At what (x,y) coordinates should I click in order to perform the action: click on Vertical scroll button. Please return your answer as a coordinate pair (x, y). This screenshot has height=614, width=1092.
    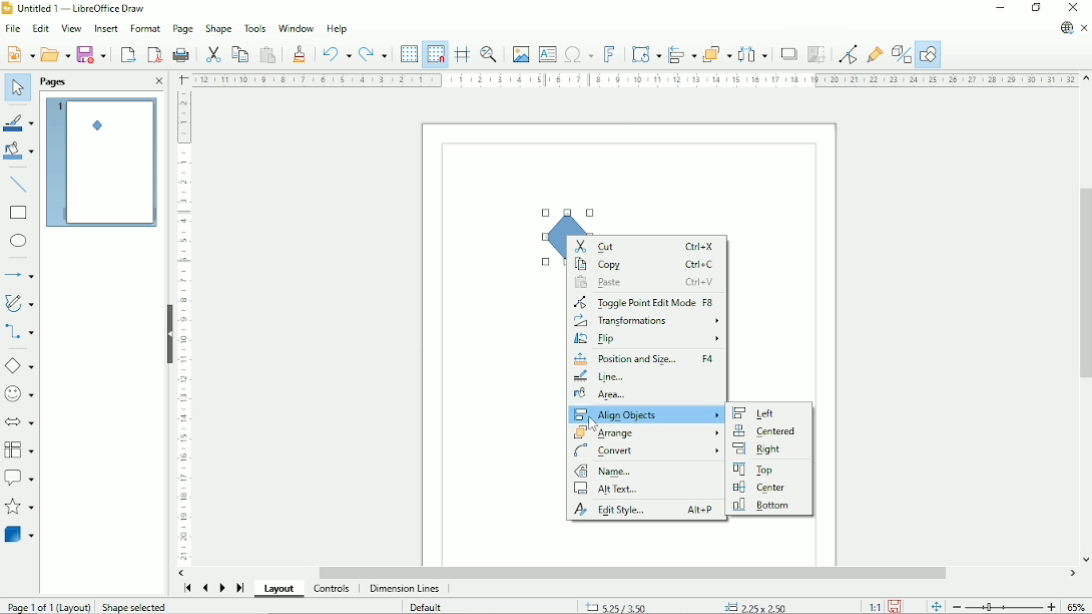
    Looking at the image, I should click on (1085, 79).